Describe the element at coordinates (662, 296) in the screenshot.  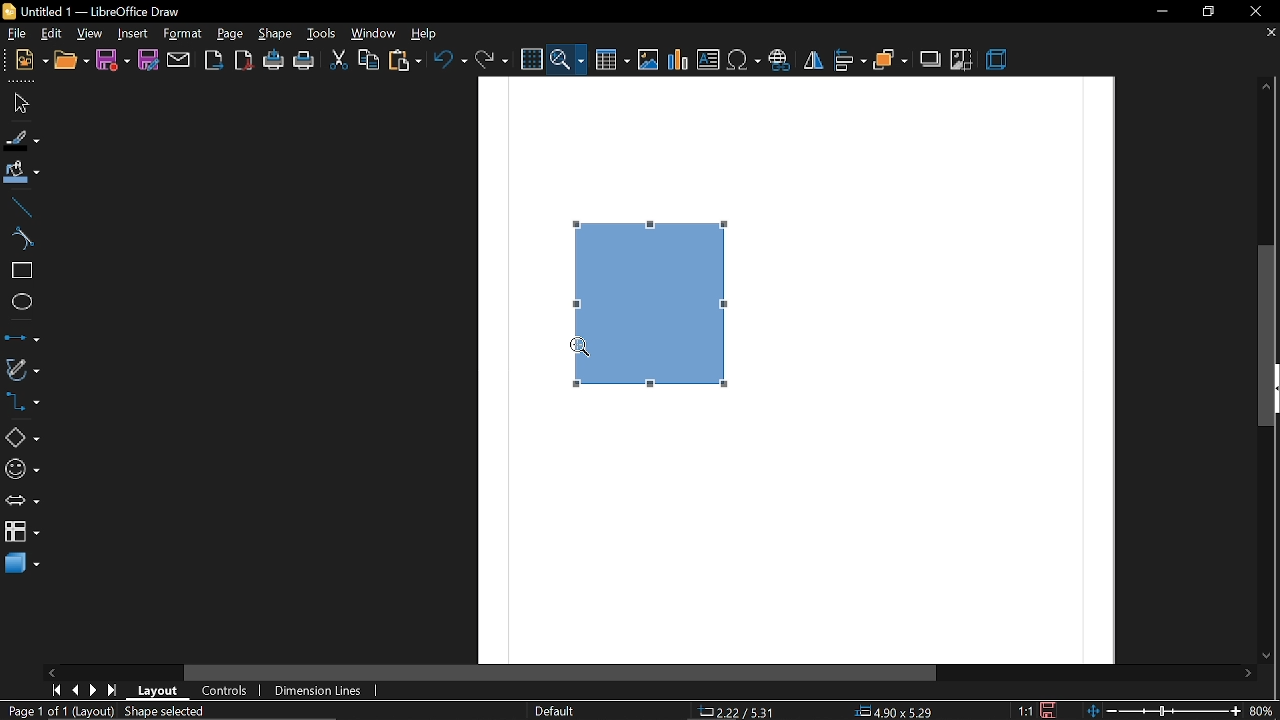
I see `shape` at that location.